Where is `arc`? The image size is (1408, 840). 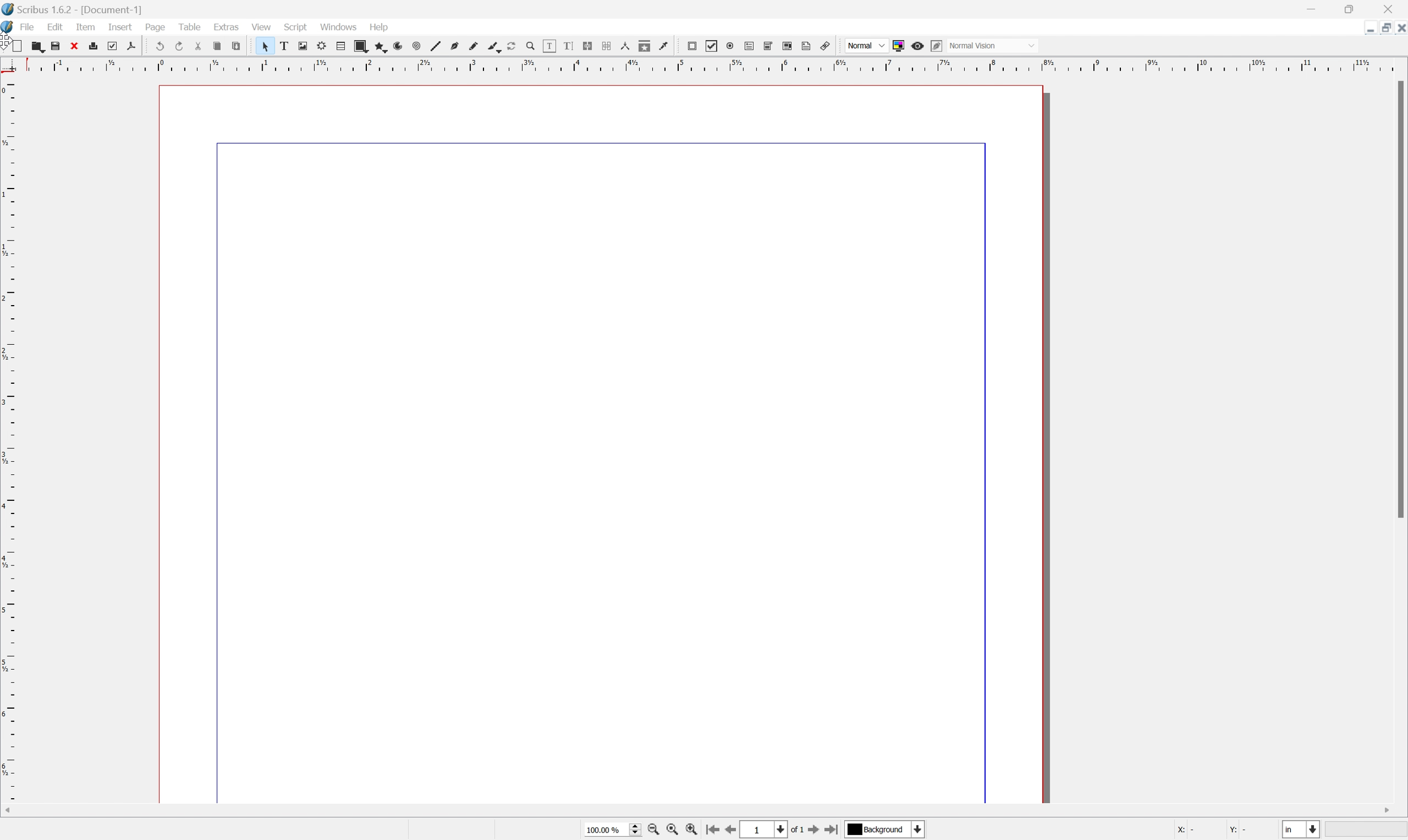
arc is located at coordinates (398, 45).